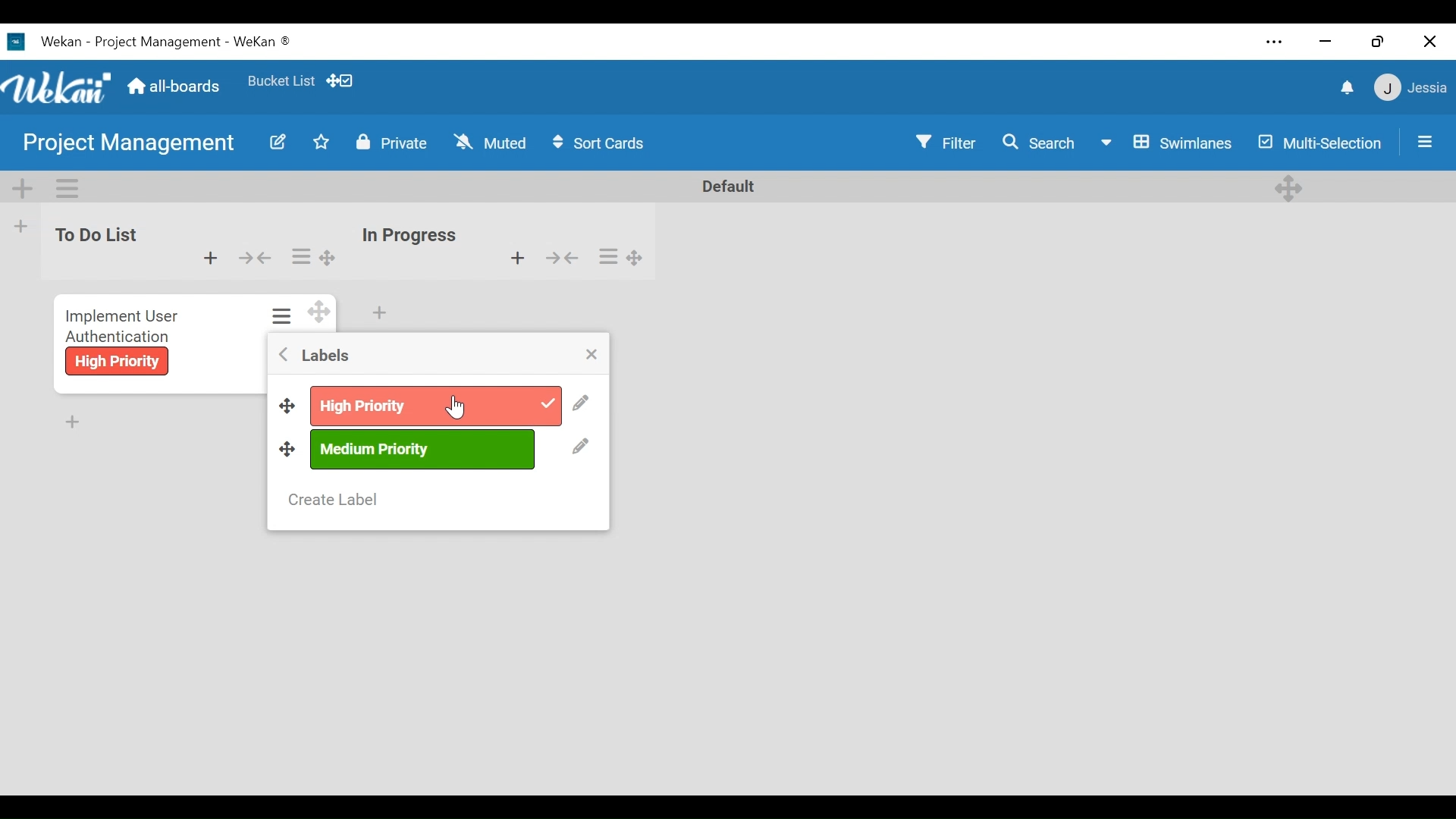 The height and width of the screenshot is (819, 1456). I want to click on list actions, so click(300, 258).